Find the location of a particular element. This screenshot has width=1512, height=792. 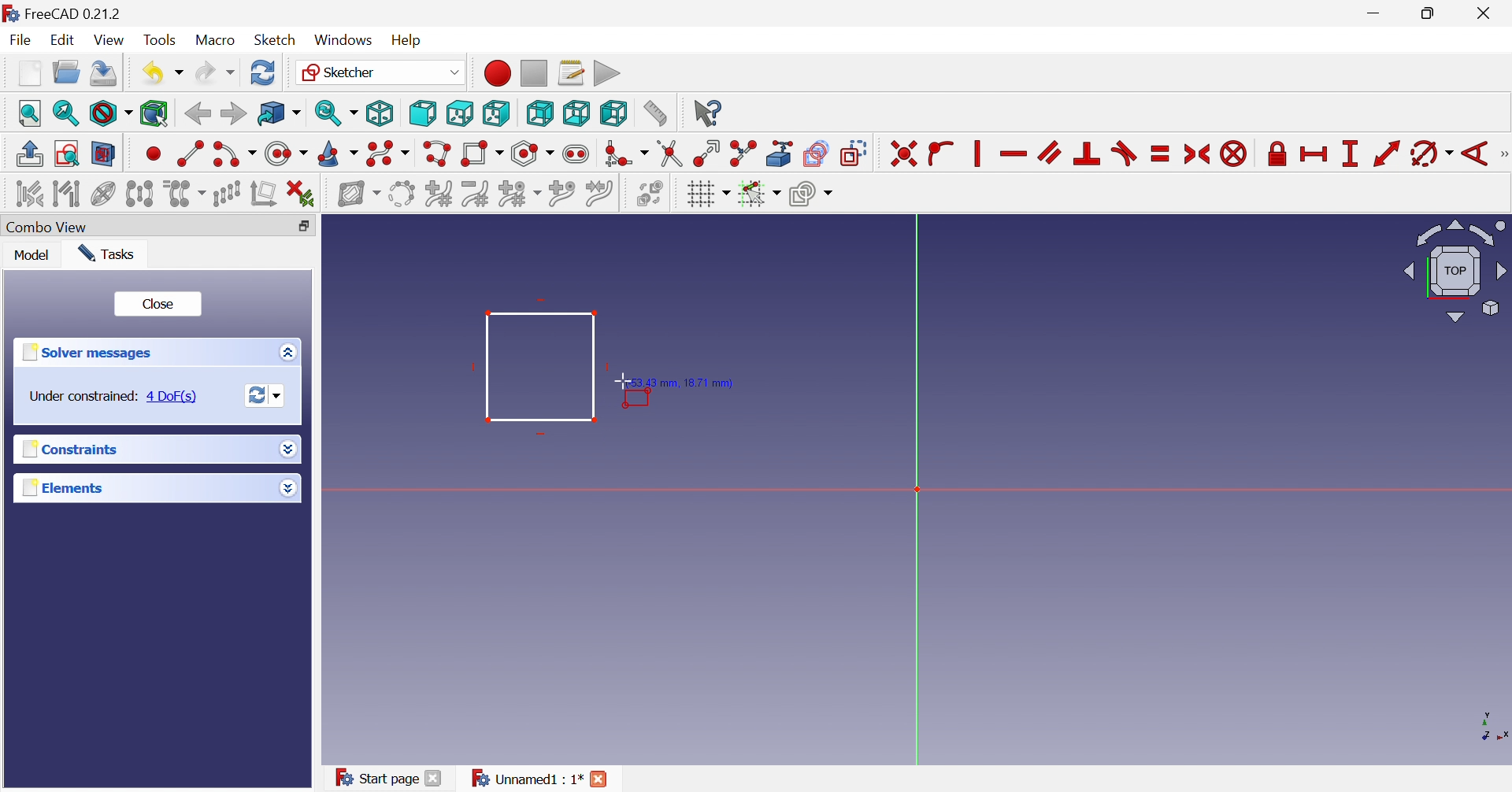

Trim edge is located at coordinates (669, 154).